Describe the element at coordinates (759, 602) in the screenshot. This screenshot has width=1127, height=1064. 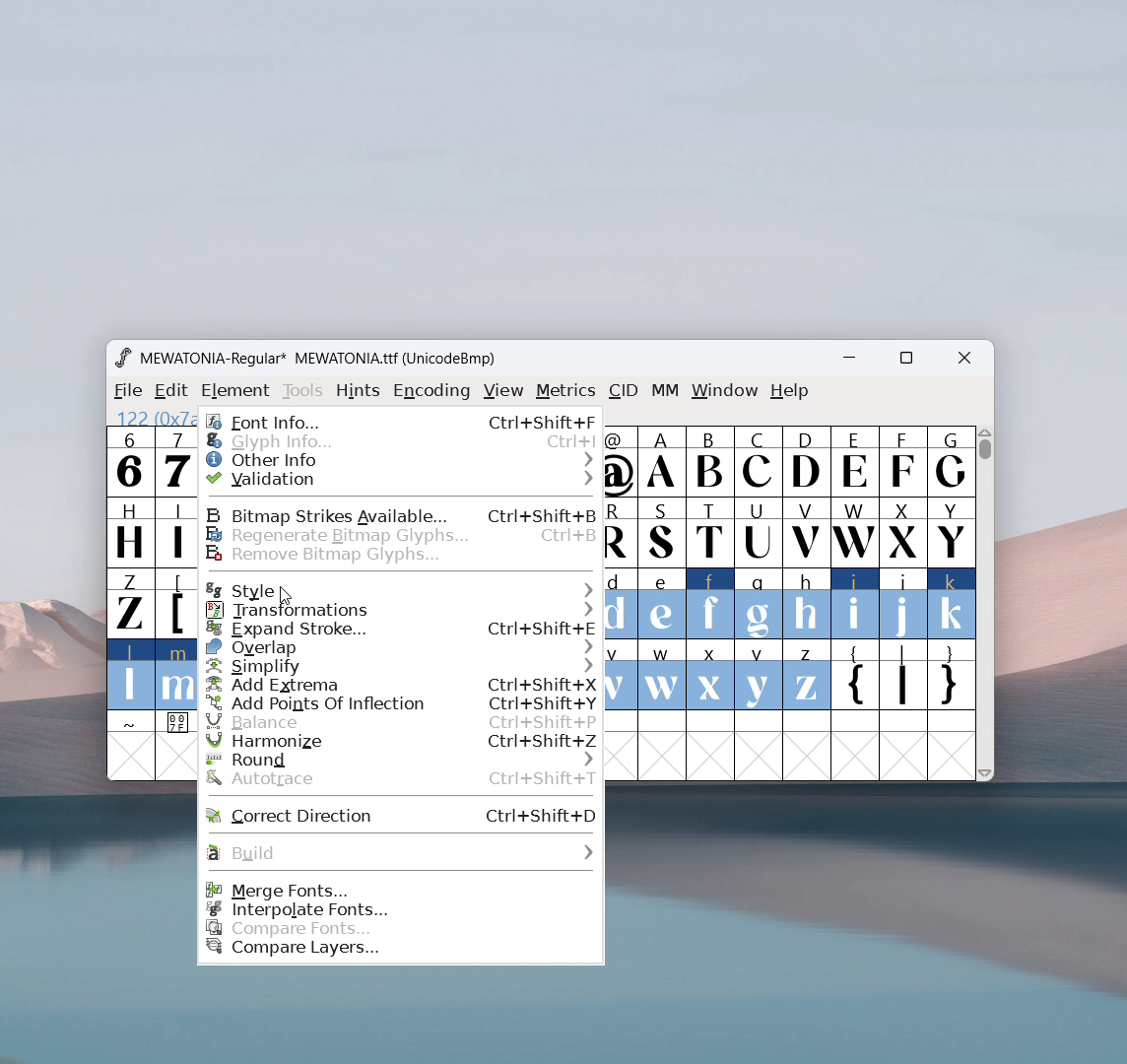
I see `g` at that location.